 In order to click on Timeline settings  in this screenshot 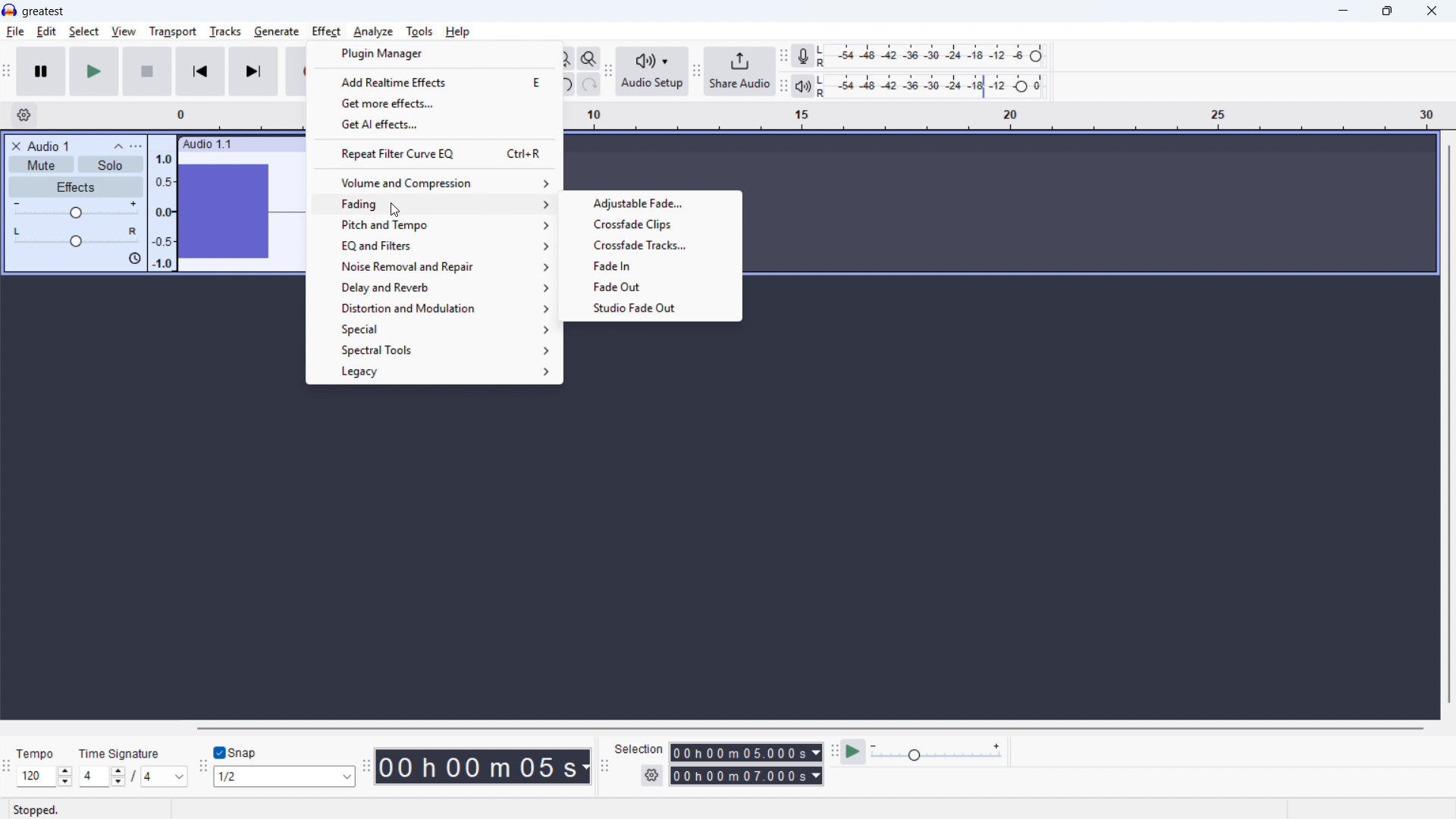, I will do `click(24, 115)`.